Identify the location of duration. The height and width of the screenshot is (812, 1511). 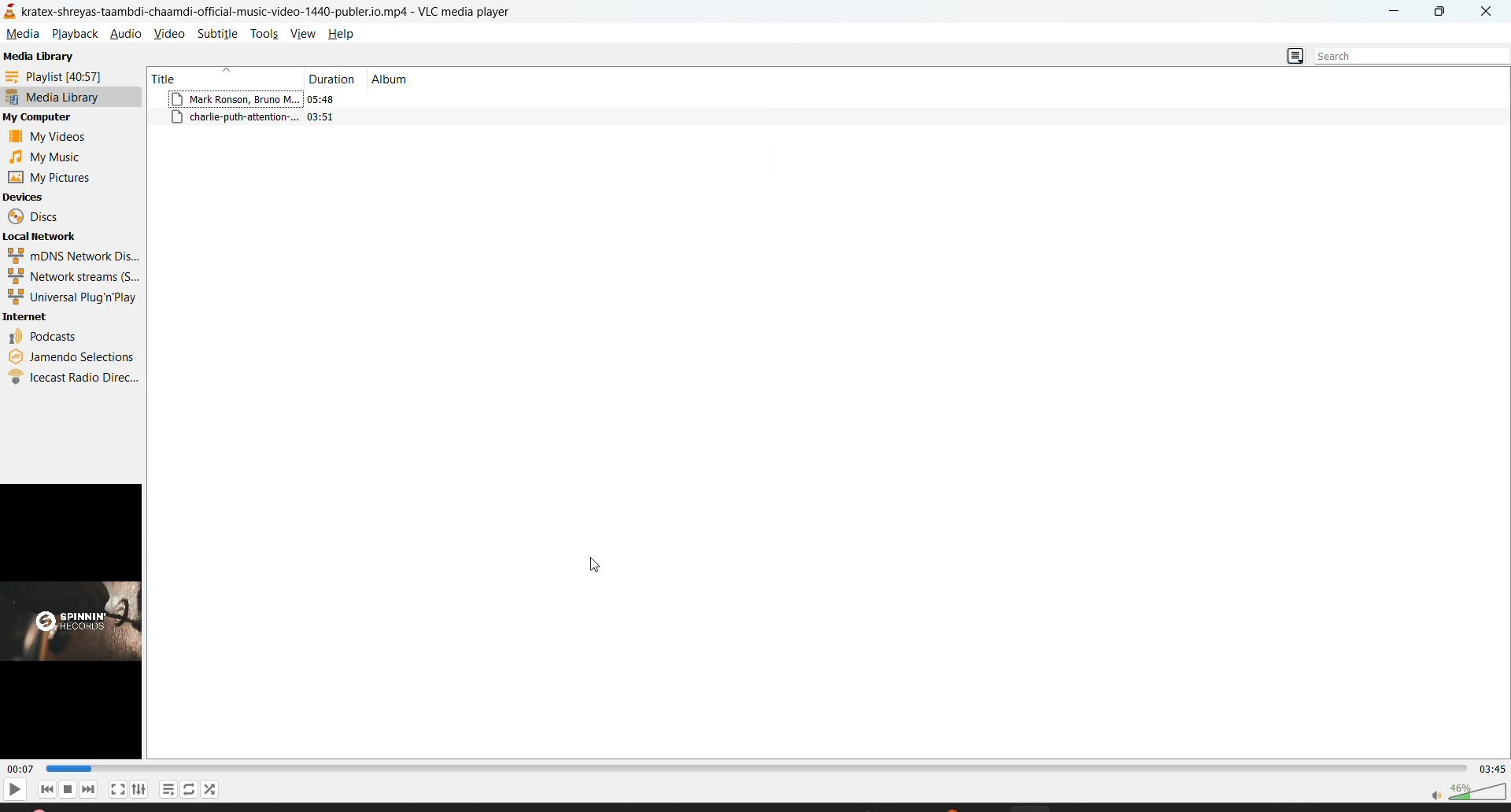
(334, 76).